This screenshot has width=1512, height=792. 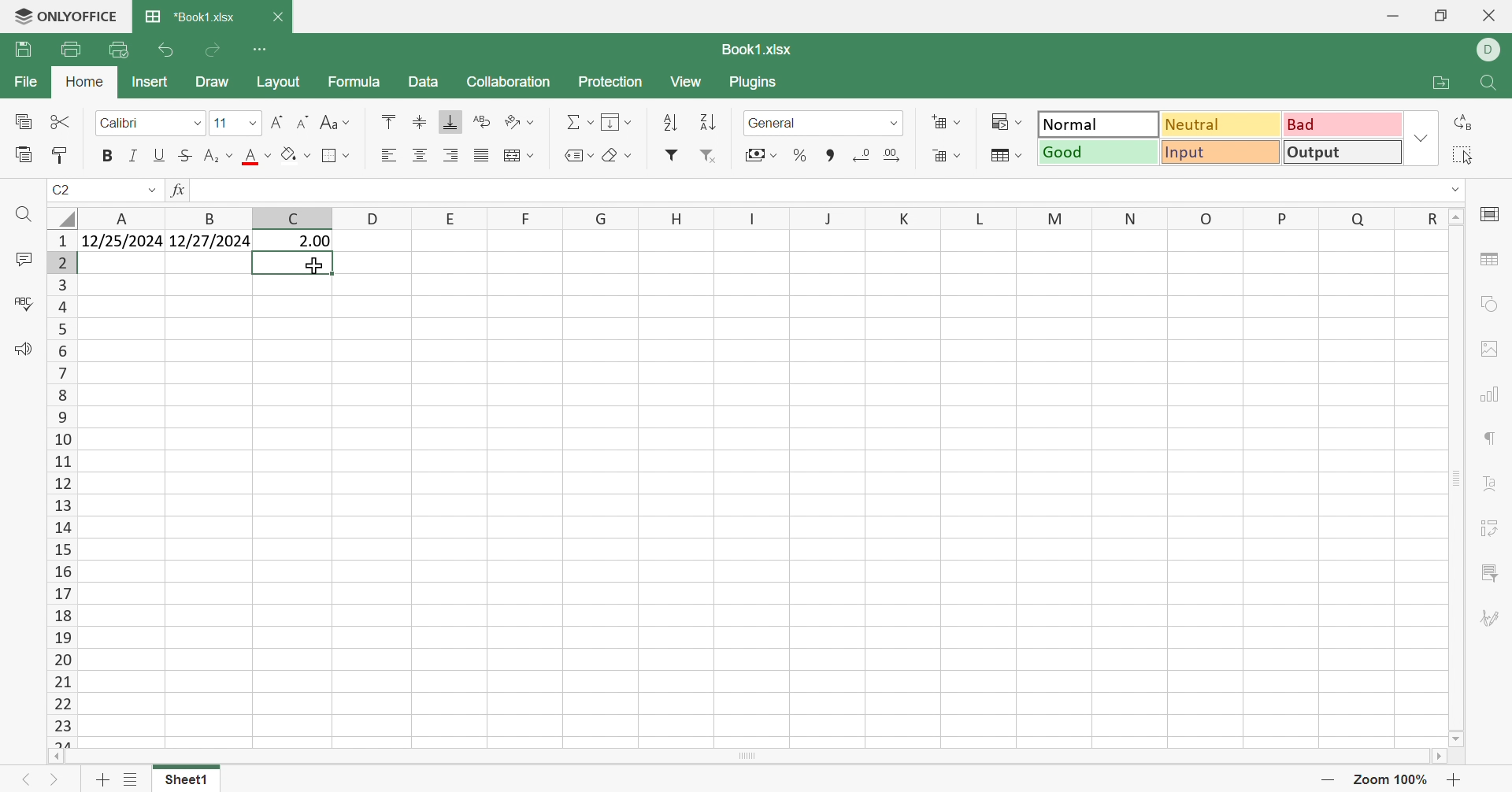 What do you see at coordinates (280, 84) in the screenshot?
I see `Layout` at bounding box center [280, 84].